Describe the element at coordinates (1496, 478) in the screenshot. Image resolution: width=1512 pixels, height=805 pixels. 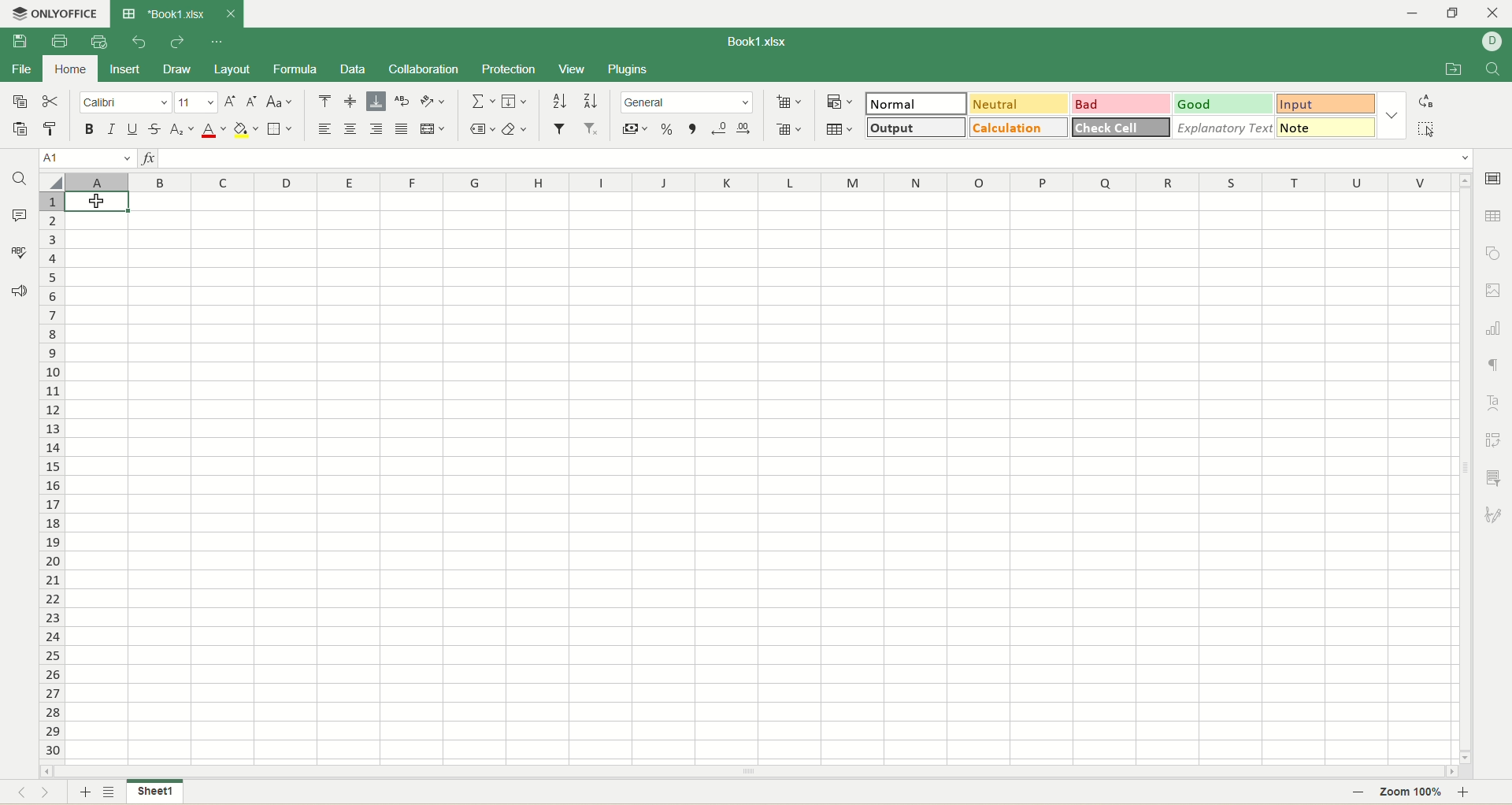
I see `slicer settings` at that location.